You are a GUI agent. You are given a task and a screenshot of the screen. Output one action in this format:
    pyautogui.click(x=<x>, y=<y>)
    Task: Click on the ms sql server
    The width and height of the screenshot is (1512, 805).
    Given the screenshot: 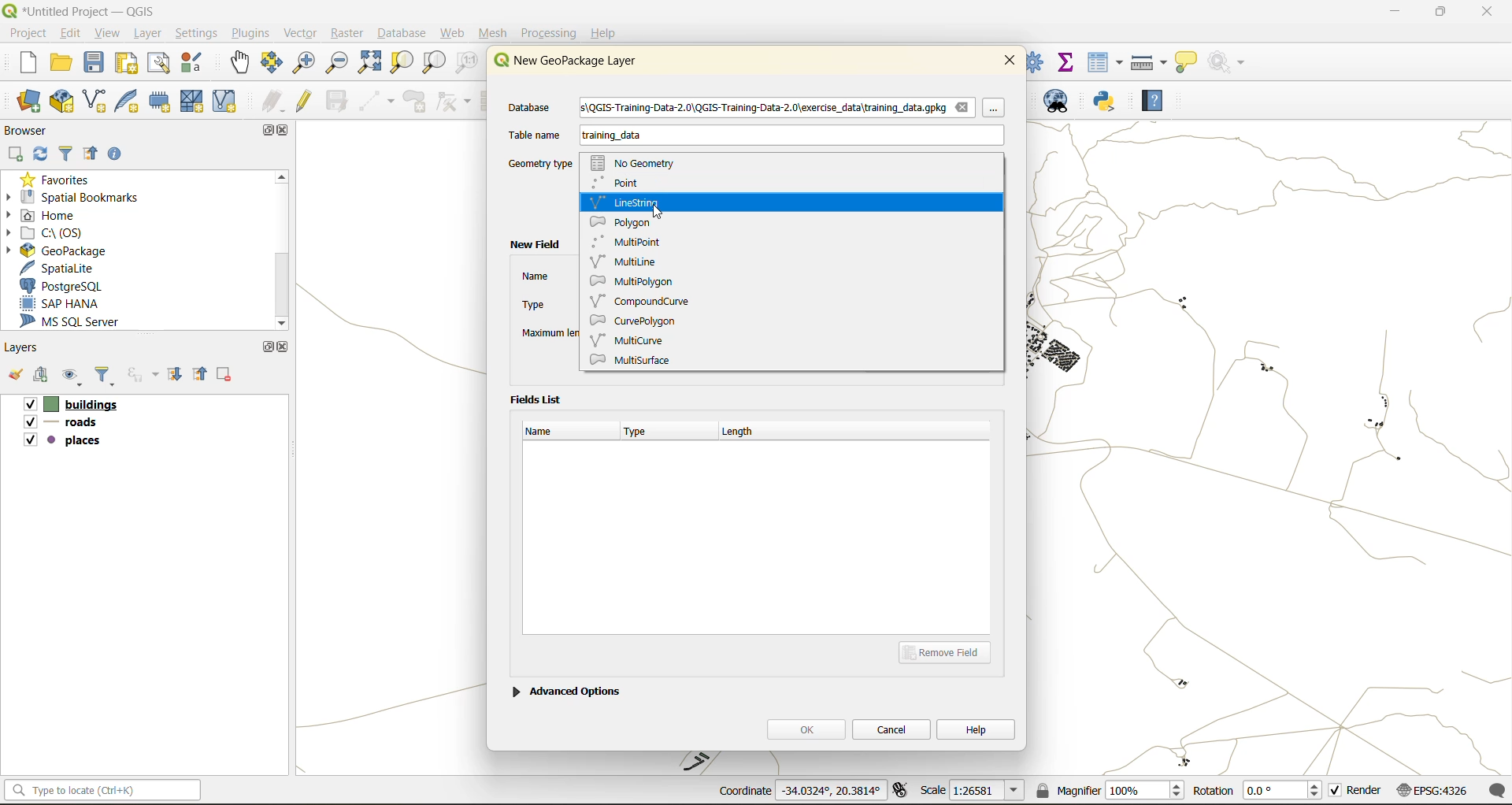 What is the action you would take?
    pyautogui.click(x=80, y=324)
    